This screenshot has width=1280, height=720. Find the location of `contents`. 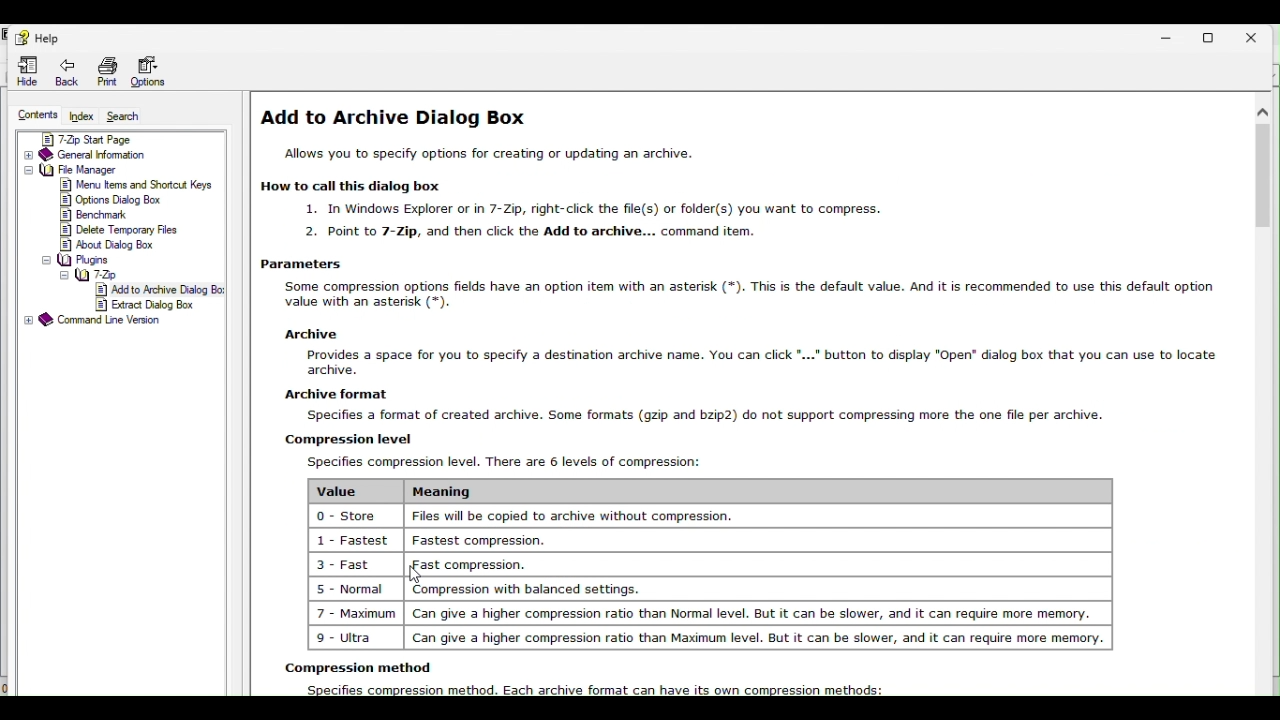

contents is located at coordinates (37, 113).